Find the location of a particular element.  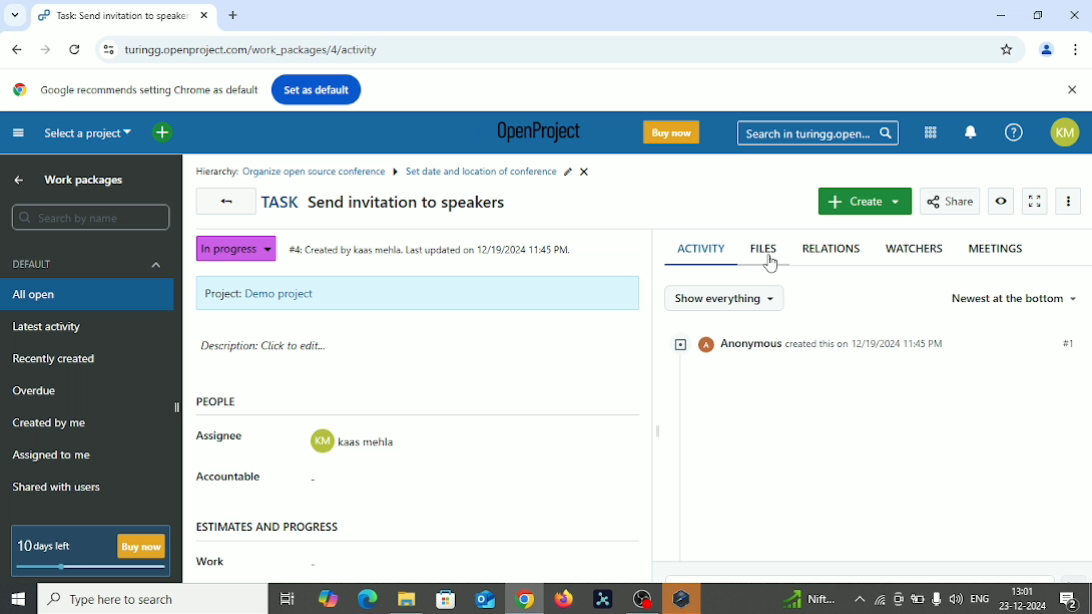

Language is located at coordinates (981, 599).